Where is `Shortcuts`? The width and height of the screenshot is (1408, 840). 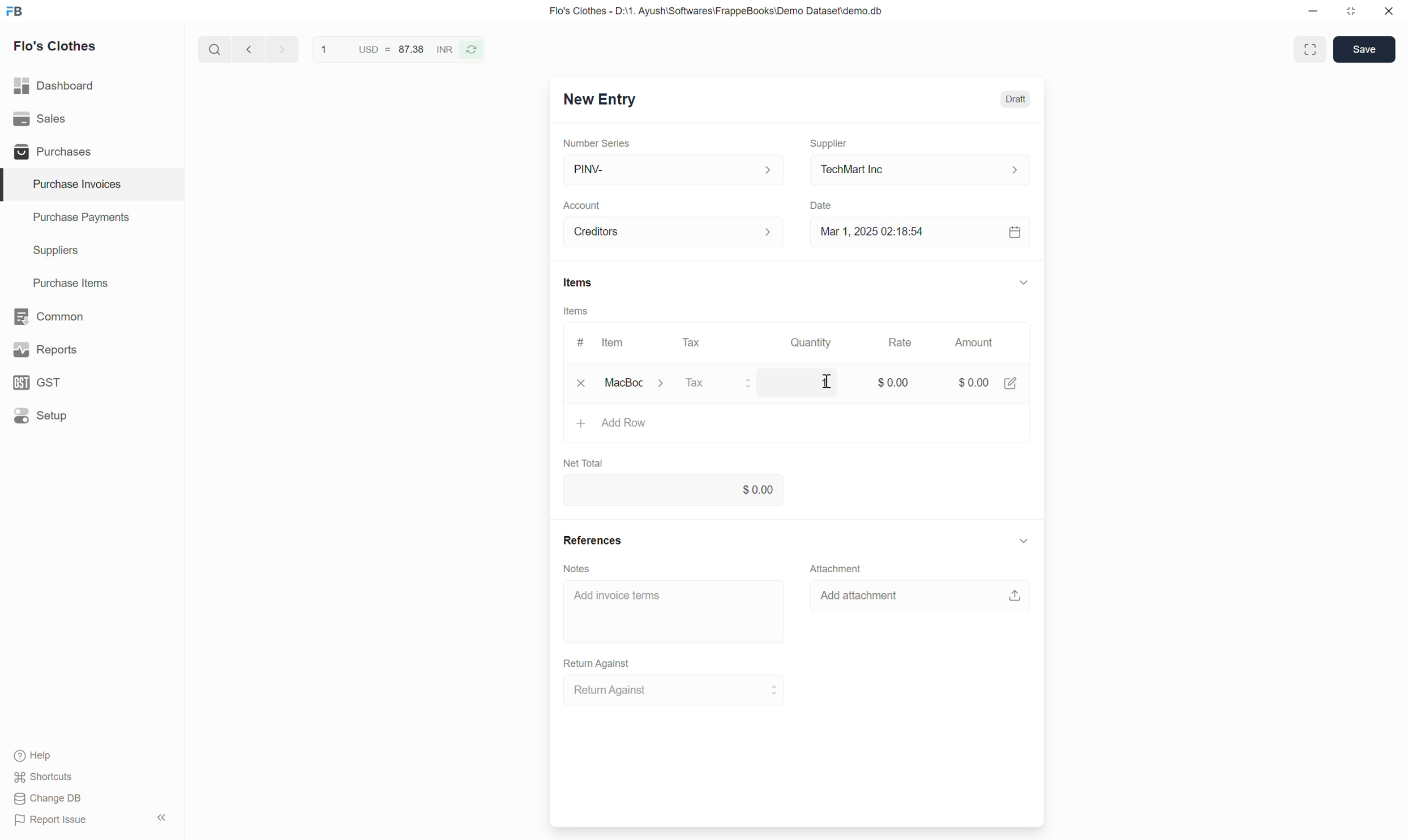 Shortcuts is located at coordinates (44, 777).